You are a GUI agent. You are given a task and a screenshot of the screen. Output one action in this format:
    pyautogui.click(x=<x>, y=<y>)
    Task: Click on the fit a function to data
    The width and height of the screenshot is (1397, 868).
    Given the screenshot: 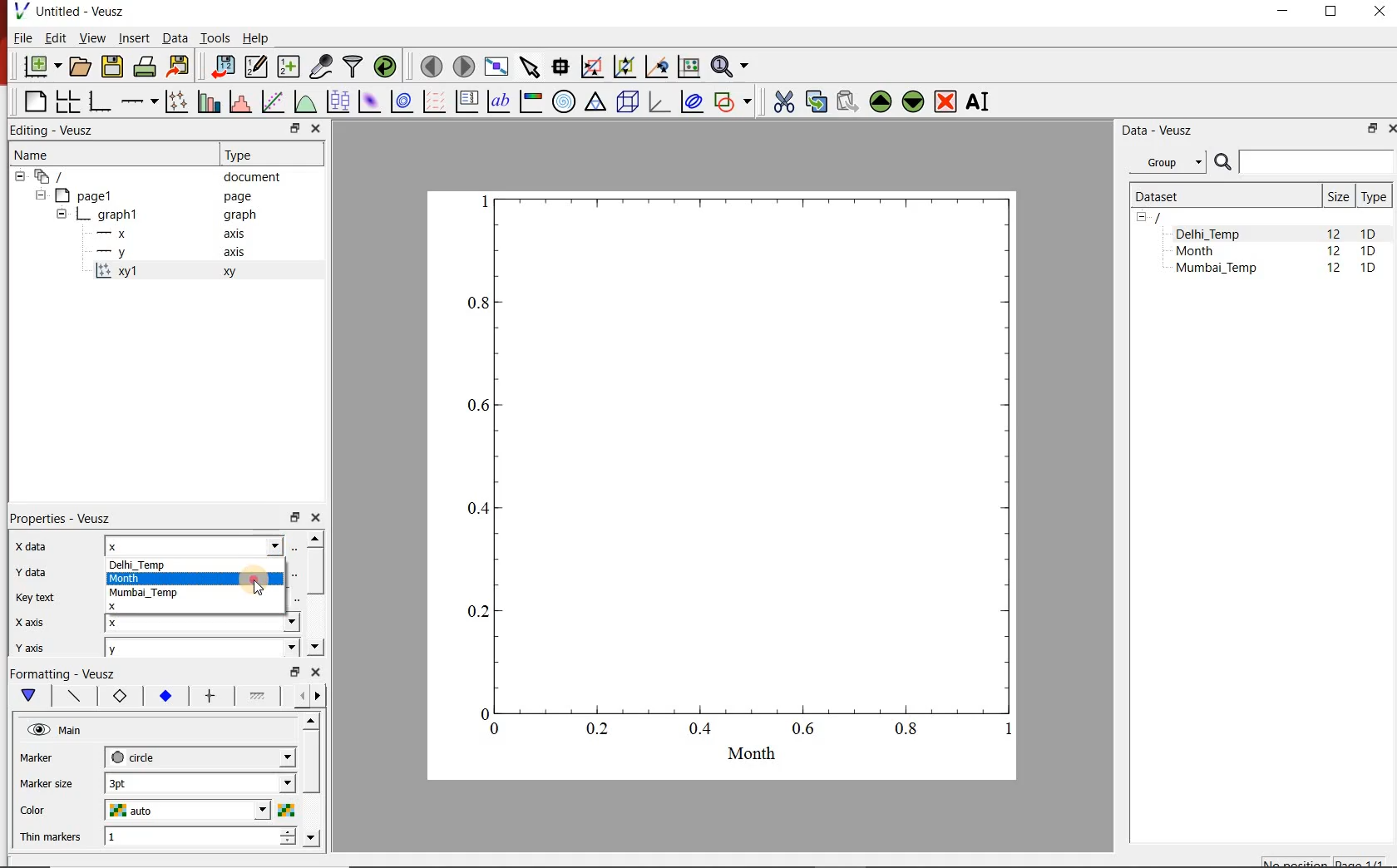 What is the action you would take?
    pyautogui.click(x=272, y=101)
    